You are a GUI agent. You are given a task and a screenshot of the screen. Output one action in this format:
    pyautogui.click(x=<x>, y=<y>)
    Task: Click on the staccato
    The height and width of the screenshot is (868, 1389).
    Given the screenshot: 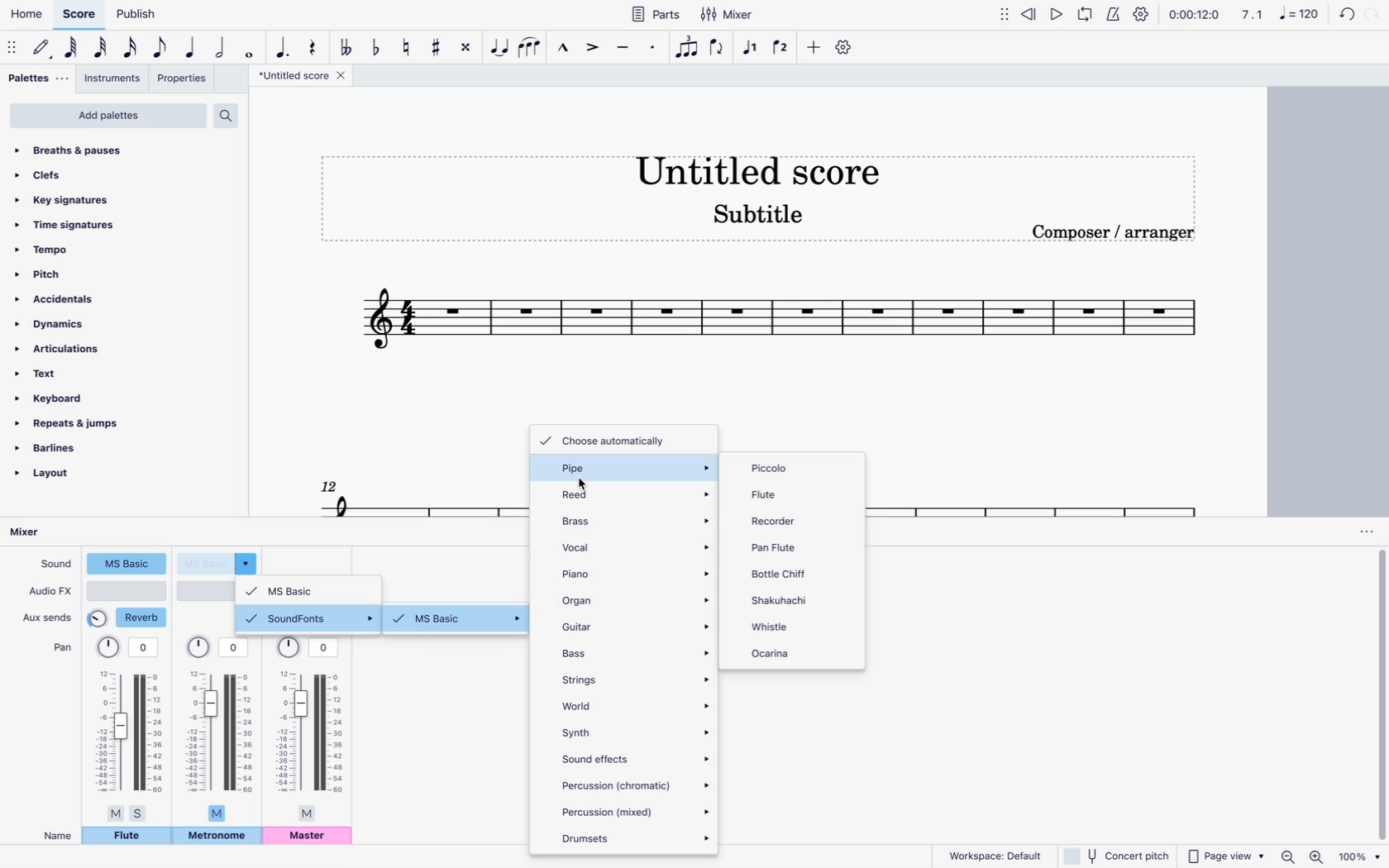 What is the action you would take?
    pyautogui.click(x=652, y=51)
    